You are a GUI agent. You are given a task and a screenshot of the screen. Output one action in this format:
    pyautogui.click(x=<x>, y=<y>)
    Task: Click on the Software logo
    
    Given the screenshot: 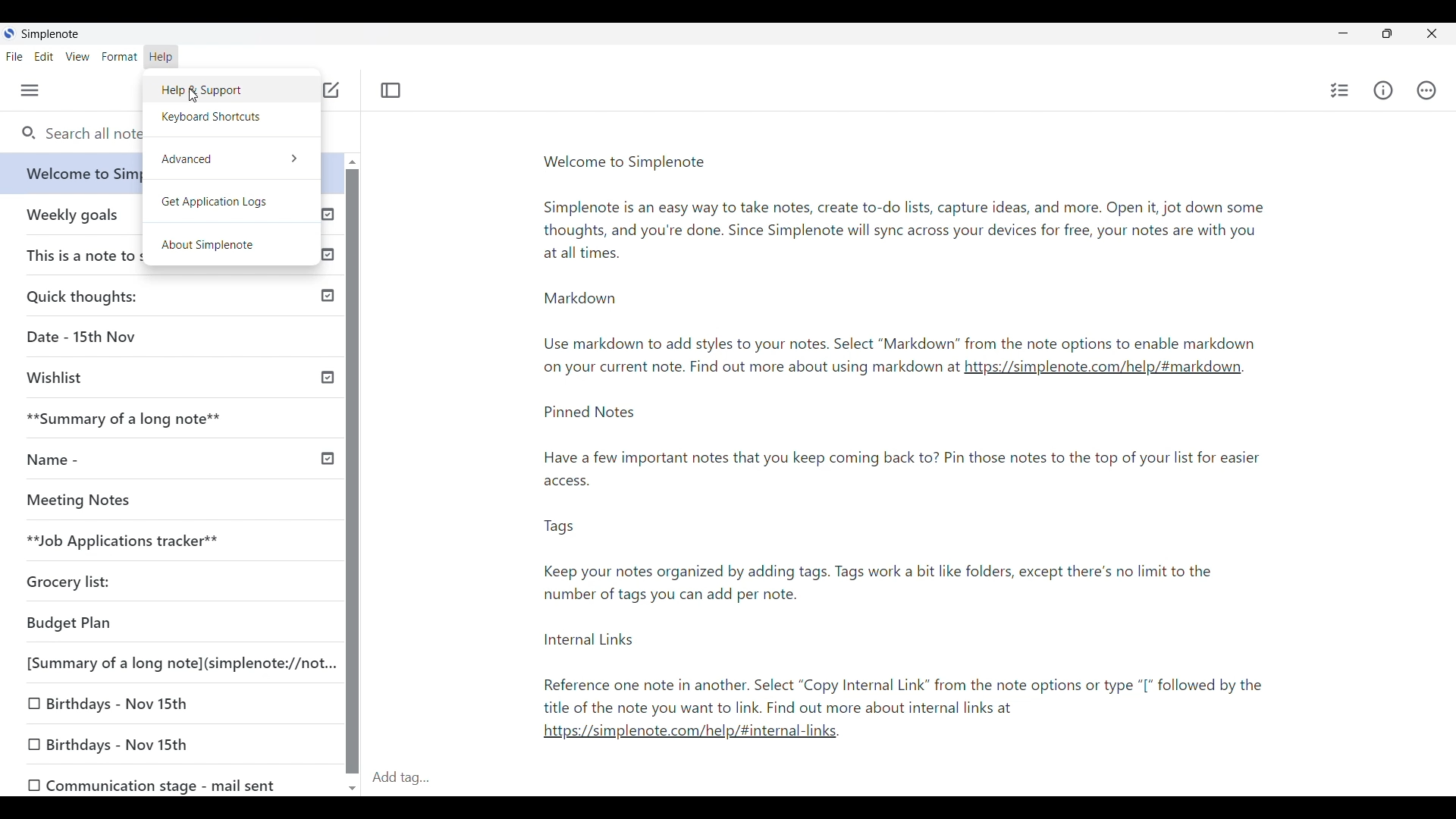 What is the action you would take?
    pyautogui.click(x=8, y=34)
    